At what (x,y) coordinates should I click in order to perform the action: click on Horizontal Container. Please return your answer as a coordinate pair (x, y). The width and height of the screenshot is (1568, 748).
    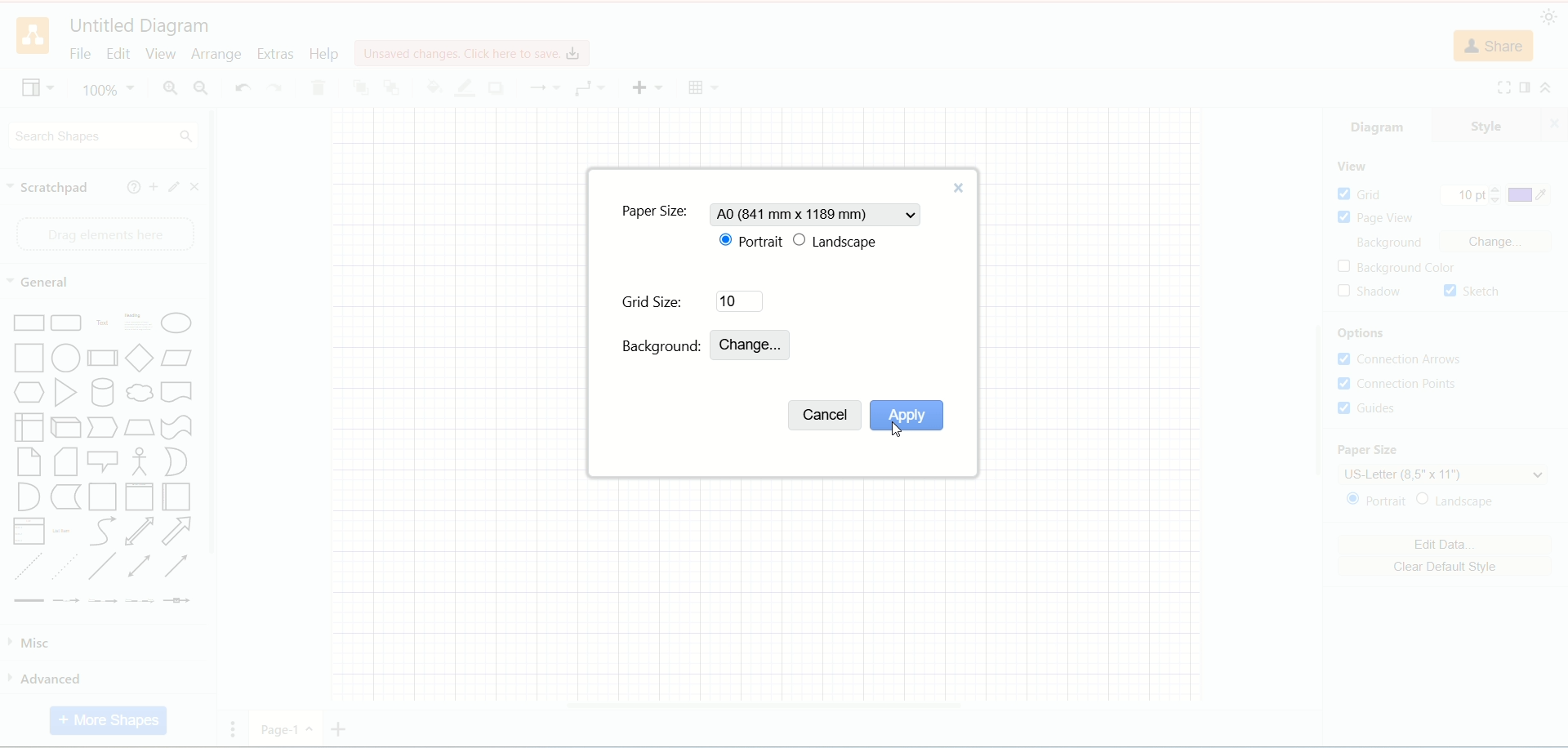
    Looking at the image, I should click on (176, 498).